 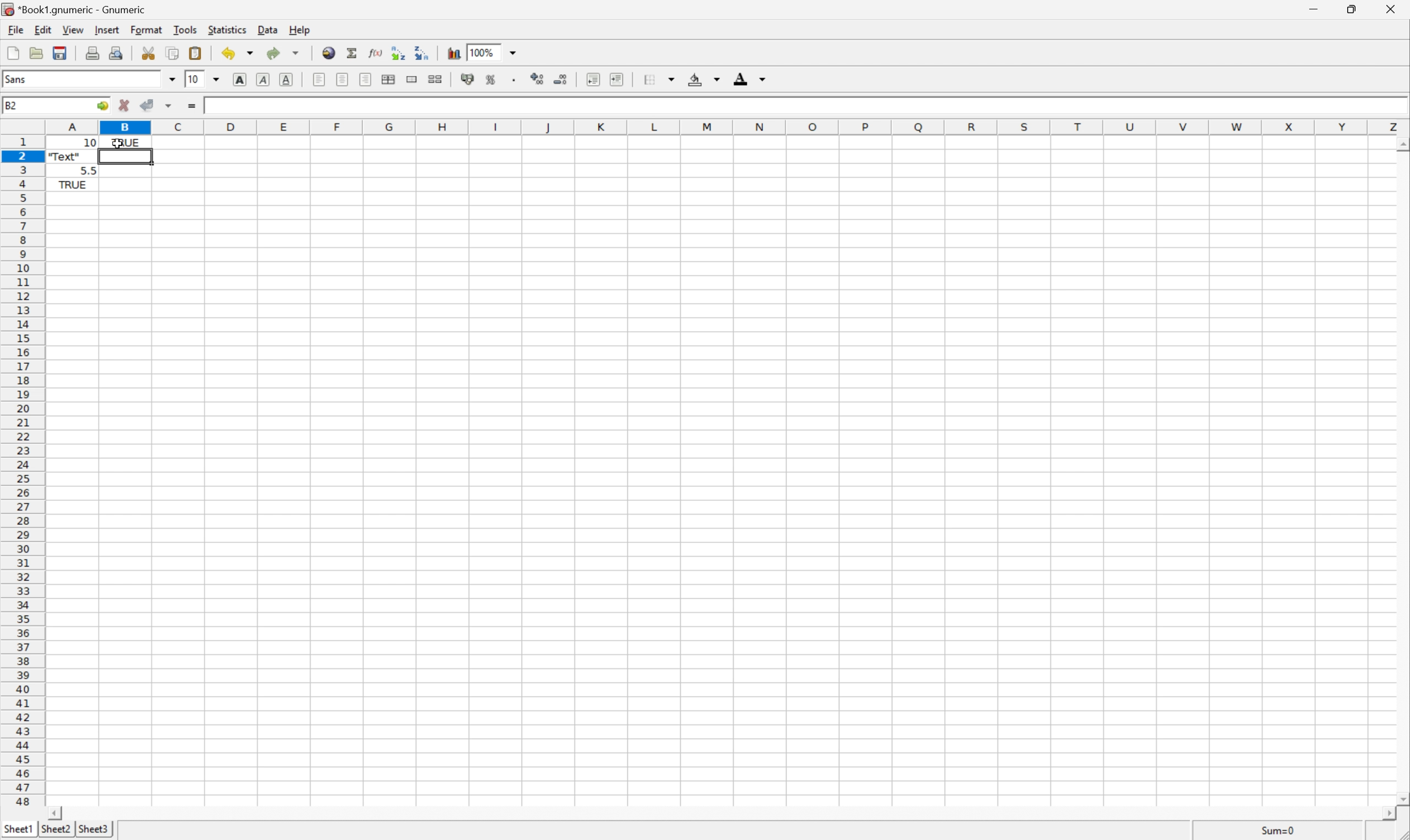 I want to click on Underline, so click(x=287, y=79).